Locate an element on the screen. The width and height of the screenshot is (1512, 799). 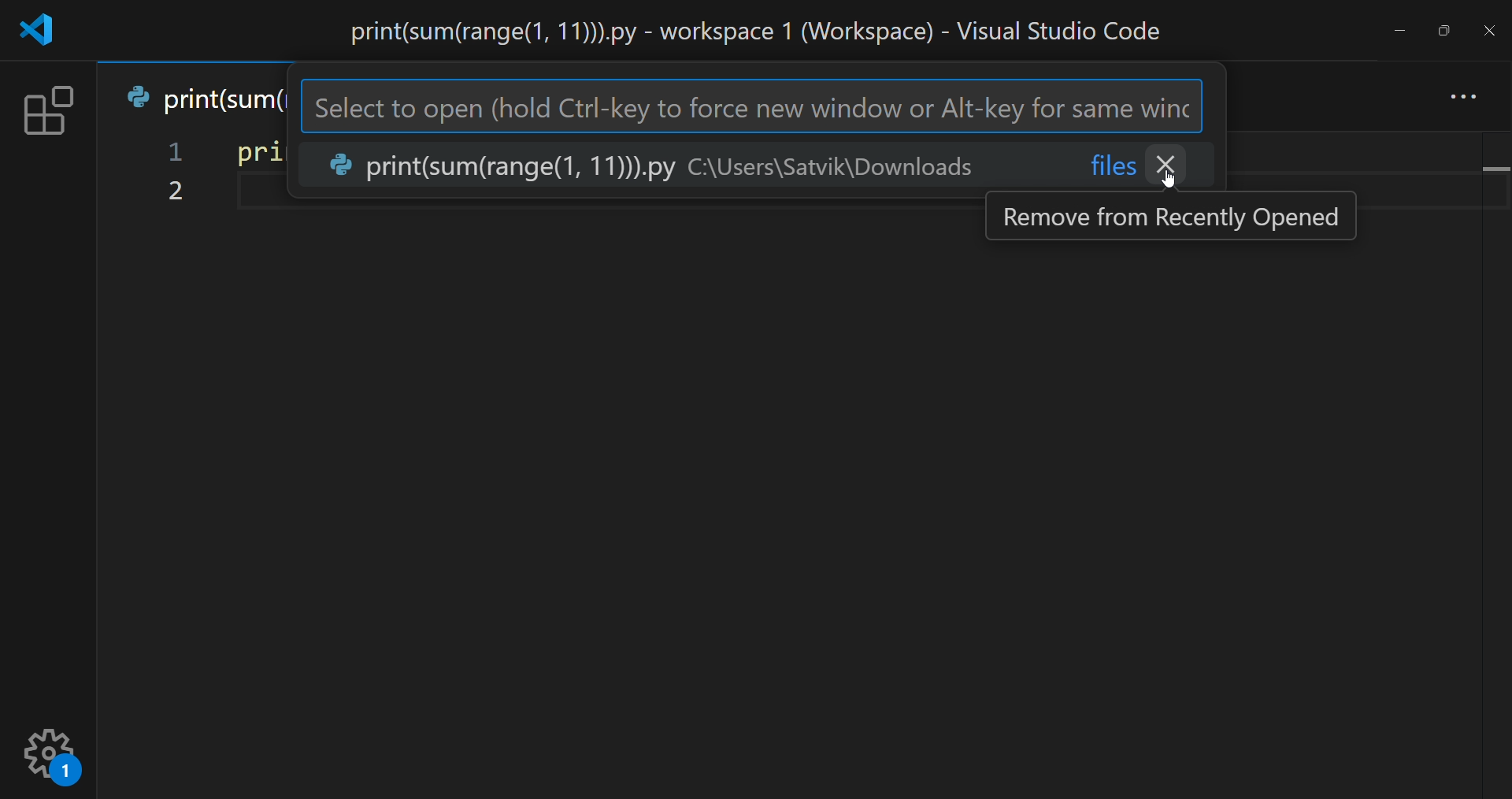
VSCode logo is located at coordinates (41, 29).